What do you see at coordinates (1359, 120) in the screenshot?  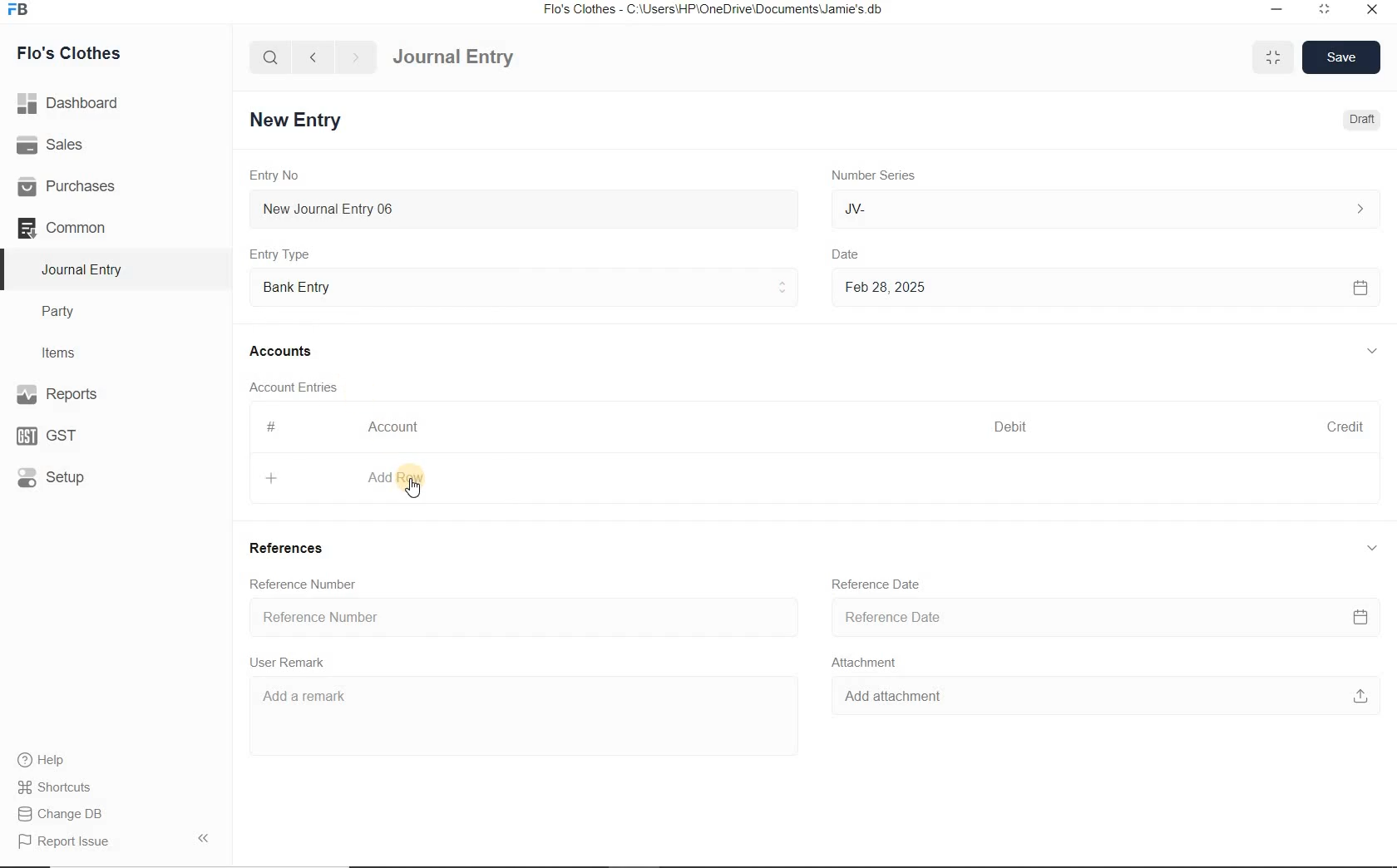 I see `Draft` at bounding box center [1359, 120].